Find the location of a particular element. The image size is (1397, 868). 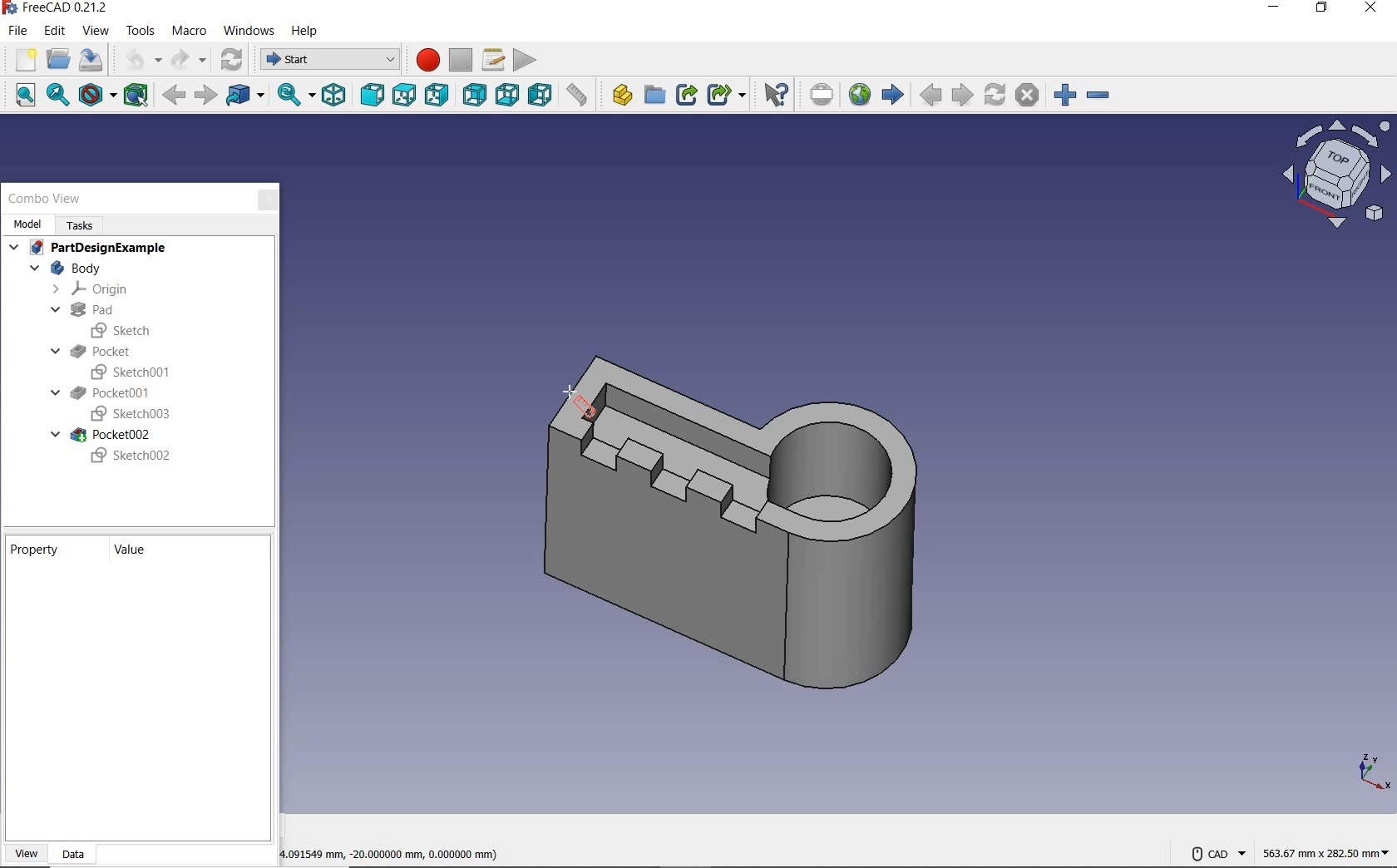

BODY is located at coordinates (64, 269).